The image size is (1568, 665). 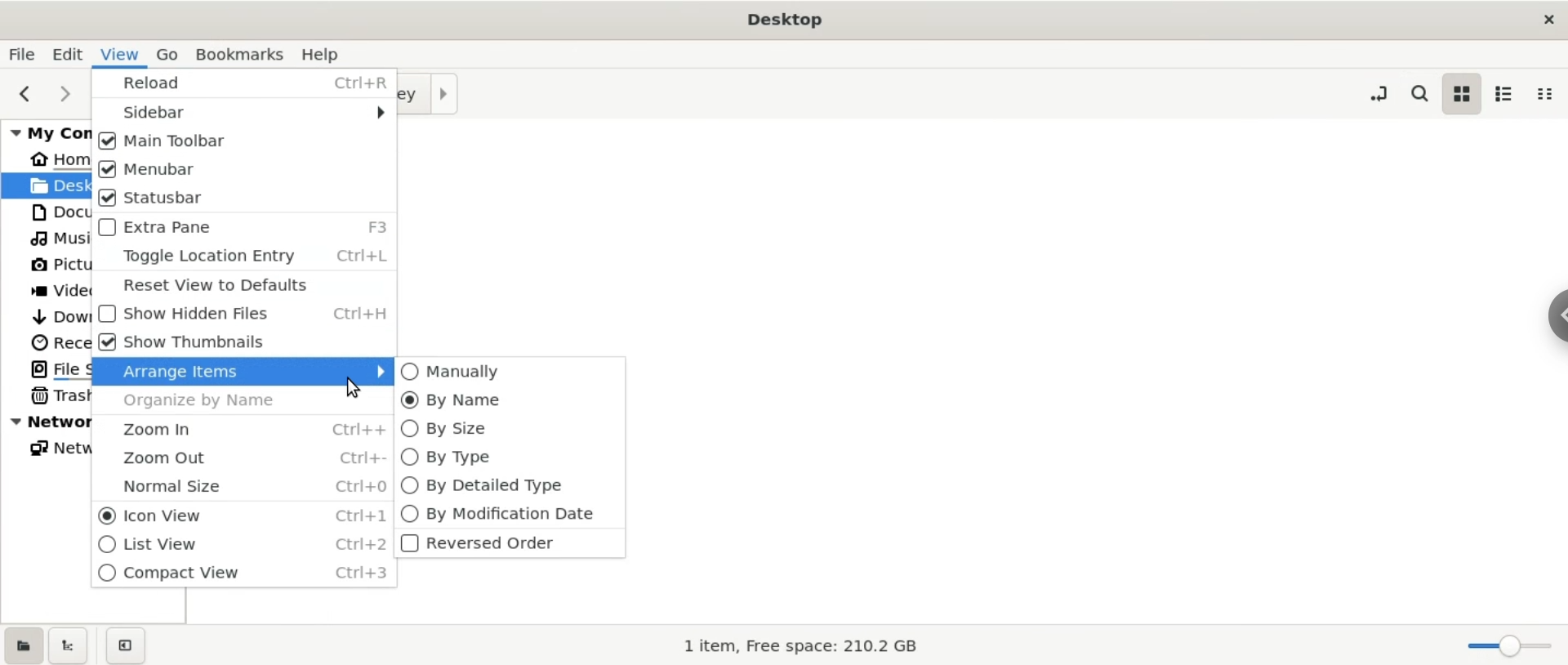 What do you see at coordinates (66, 92) in the screenshot?
I see `next` at bounding box center [66, 92].